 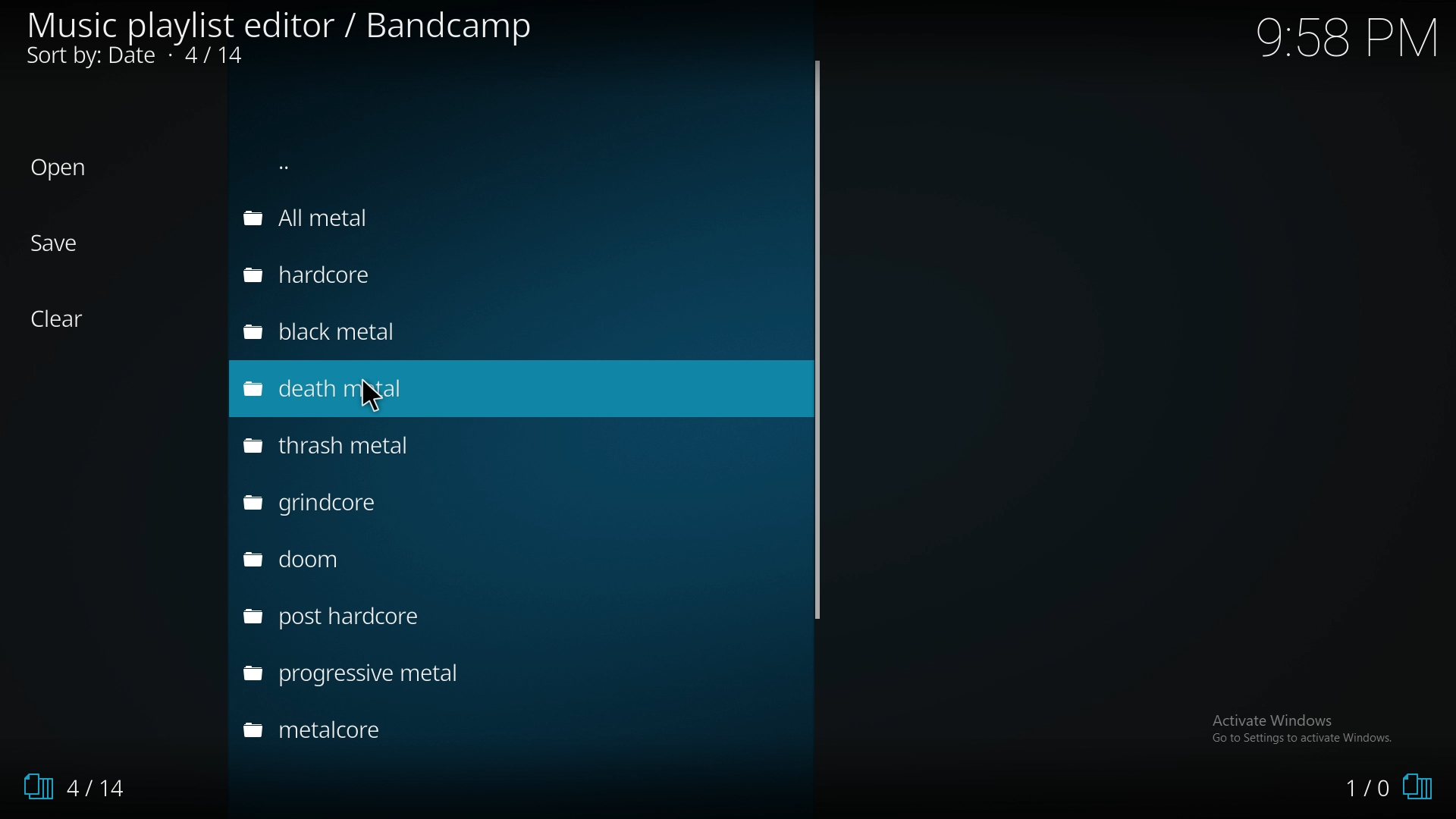 What do you see at coordinates (372, 396) in the screenshot?
I see `Pointer Cursor` at bounding box center [372, 396].